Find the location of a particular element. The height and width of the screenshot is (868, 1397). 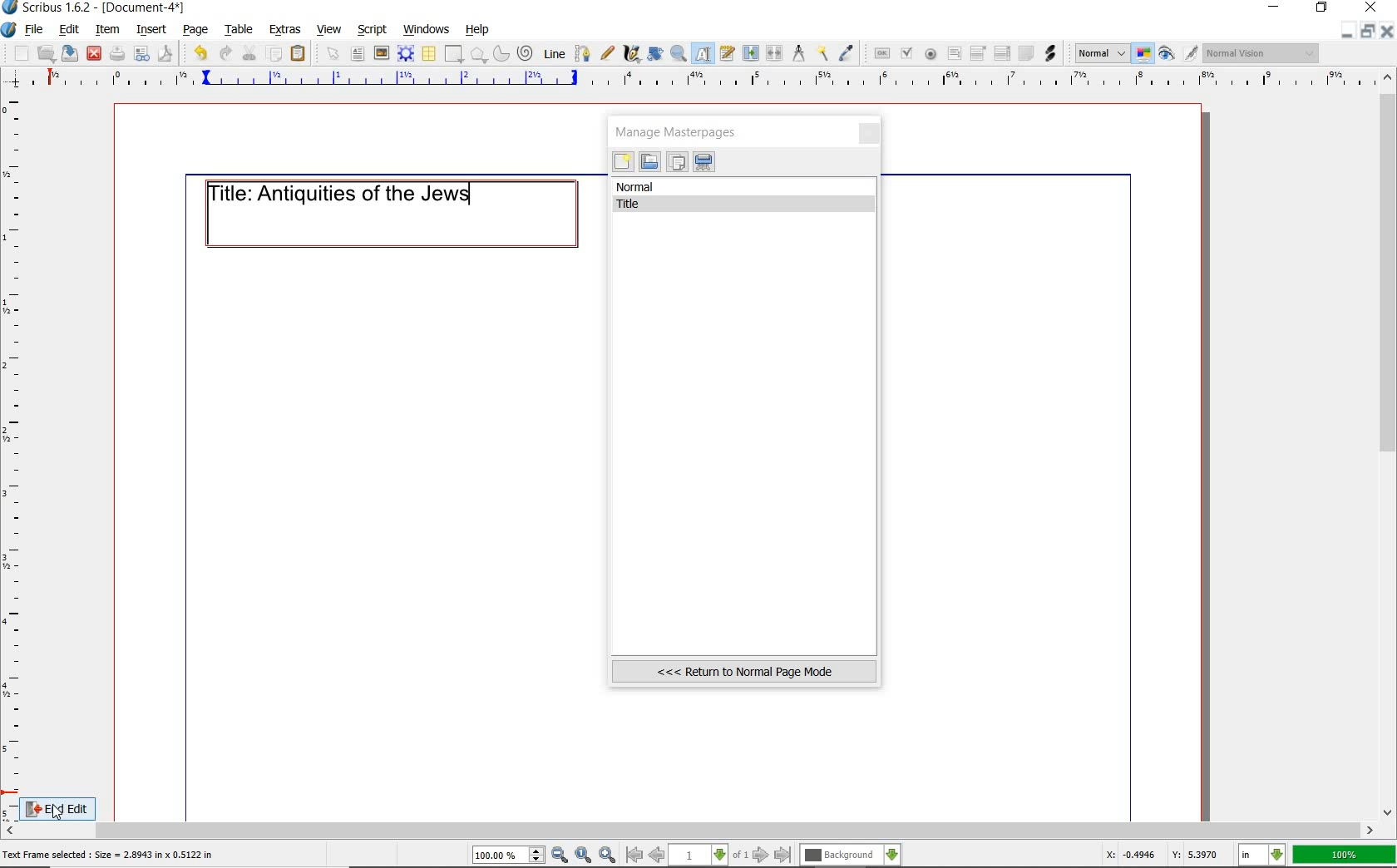

cut is located at coordinates (249, 52).